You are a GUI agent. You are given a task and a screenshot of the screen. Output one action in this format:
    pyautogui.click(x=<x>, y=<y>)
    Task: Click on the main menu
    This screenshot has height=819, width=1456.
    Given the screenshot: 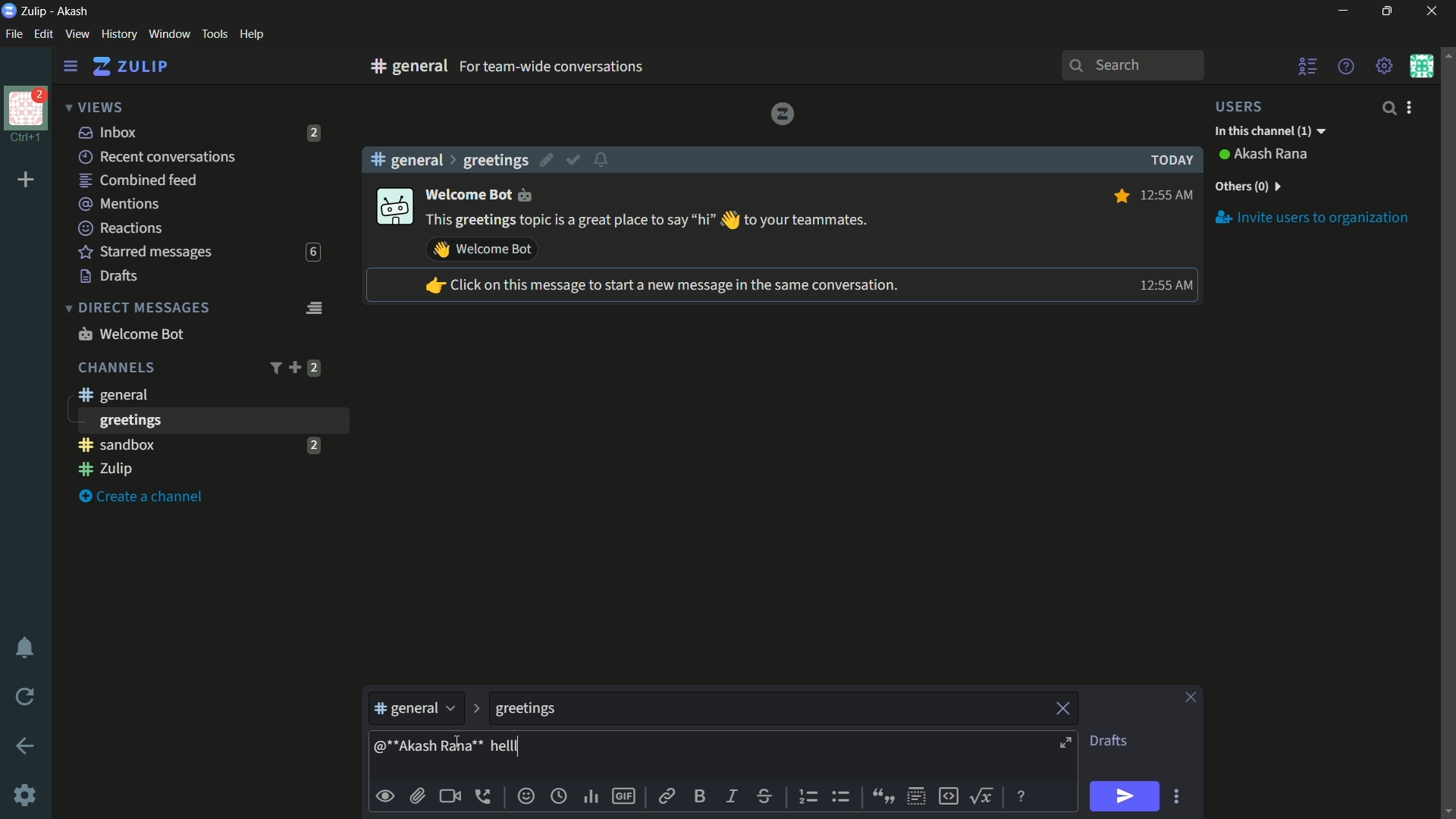 What is the action you would take?
    pyautogui.click(x=1385, y=66)
    